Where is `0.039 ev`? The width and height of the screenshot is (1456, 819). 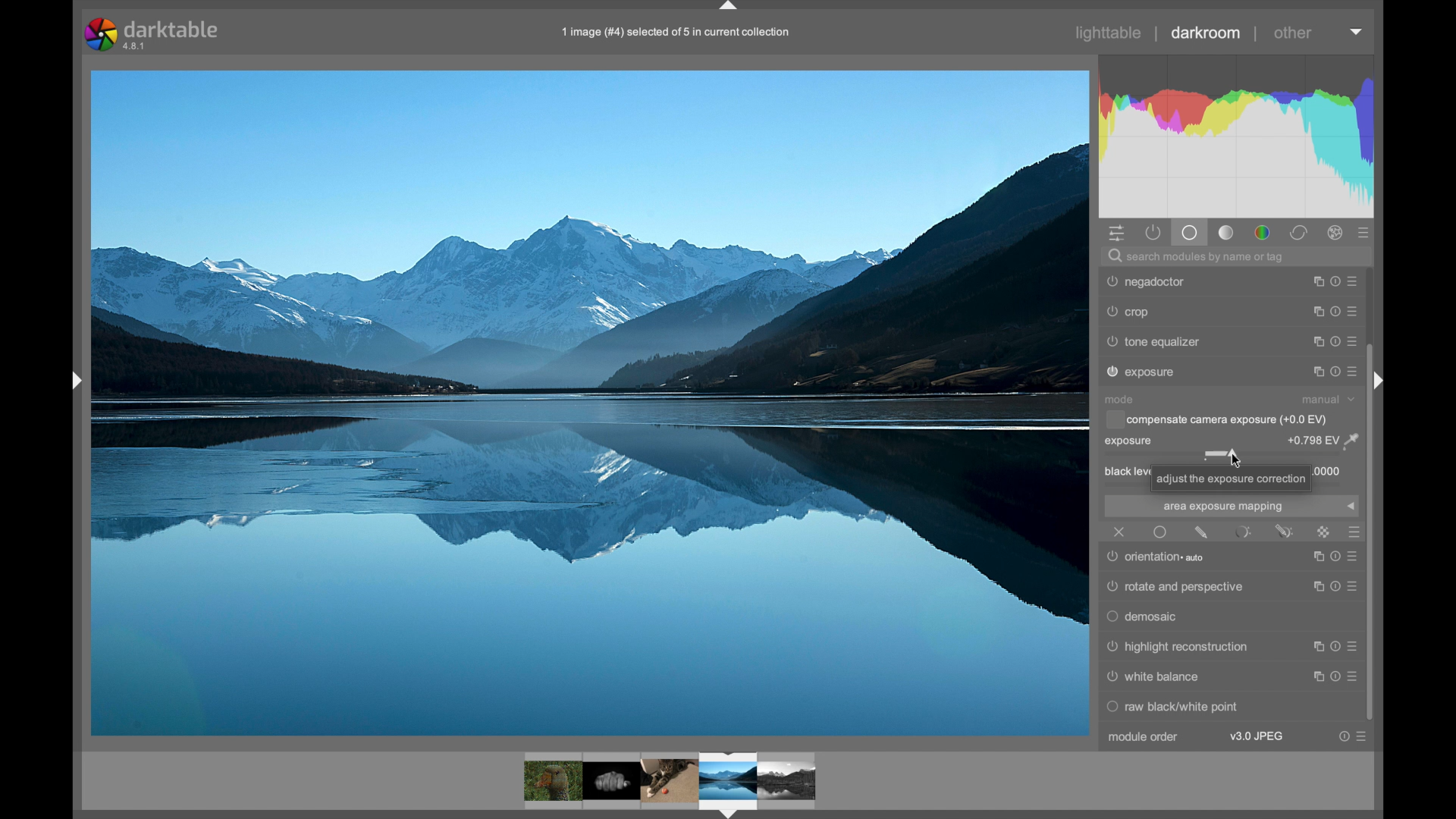
0.039 ev is located at coordinates (1323, 440).